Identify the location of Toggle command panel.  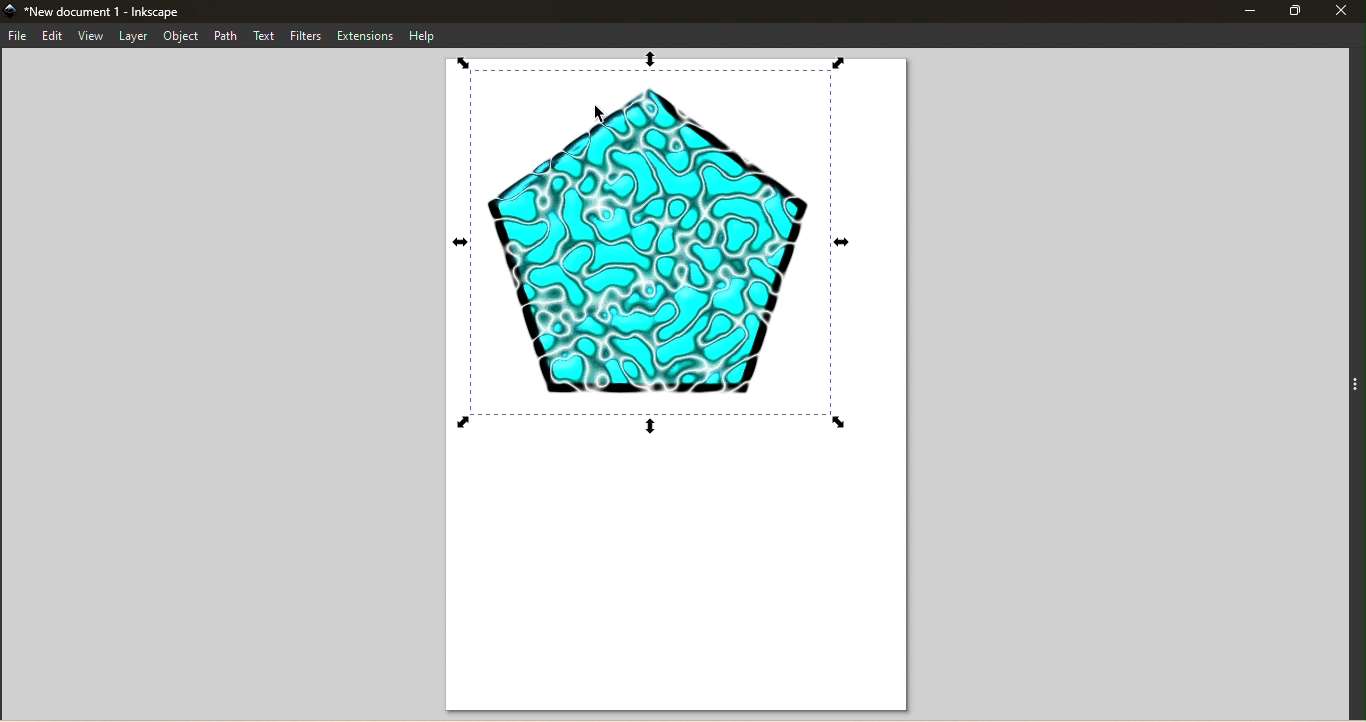
(1353, 382).